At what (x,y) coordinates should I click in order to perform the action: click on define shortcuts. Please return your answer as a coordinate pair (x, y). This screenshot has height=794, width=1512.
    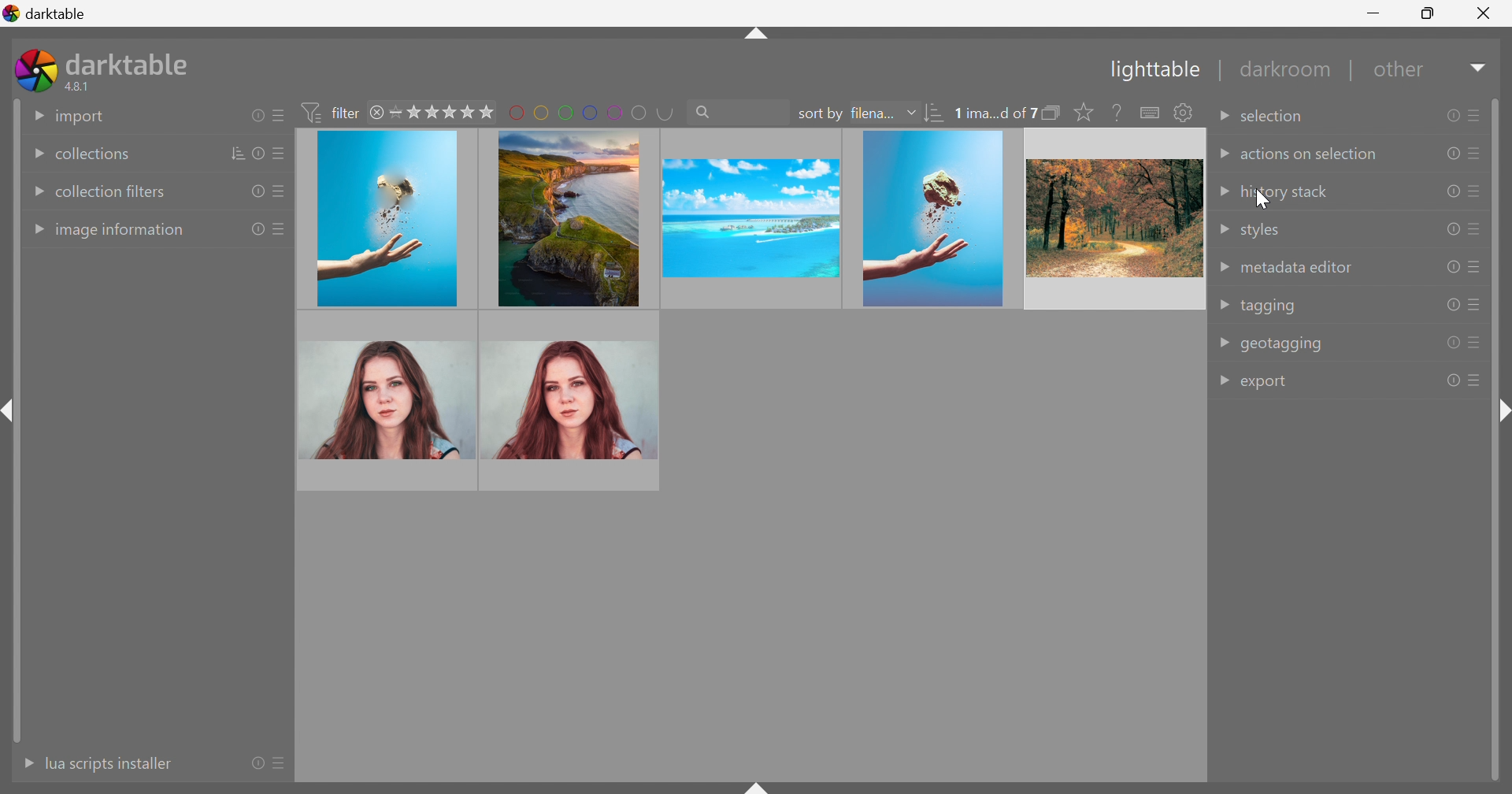
    Looking at the image, I should click on (1151, 113).